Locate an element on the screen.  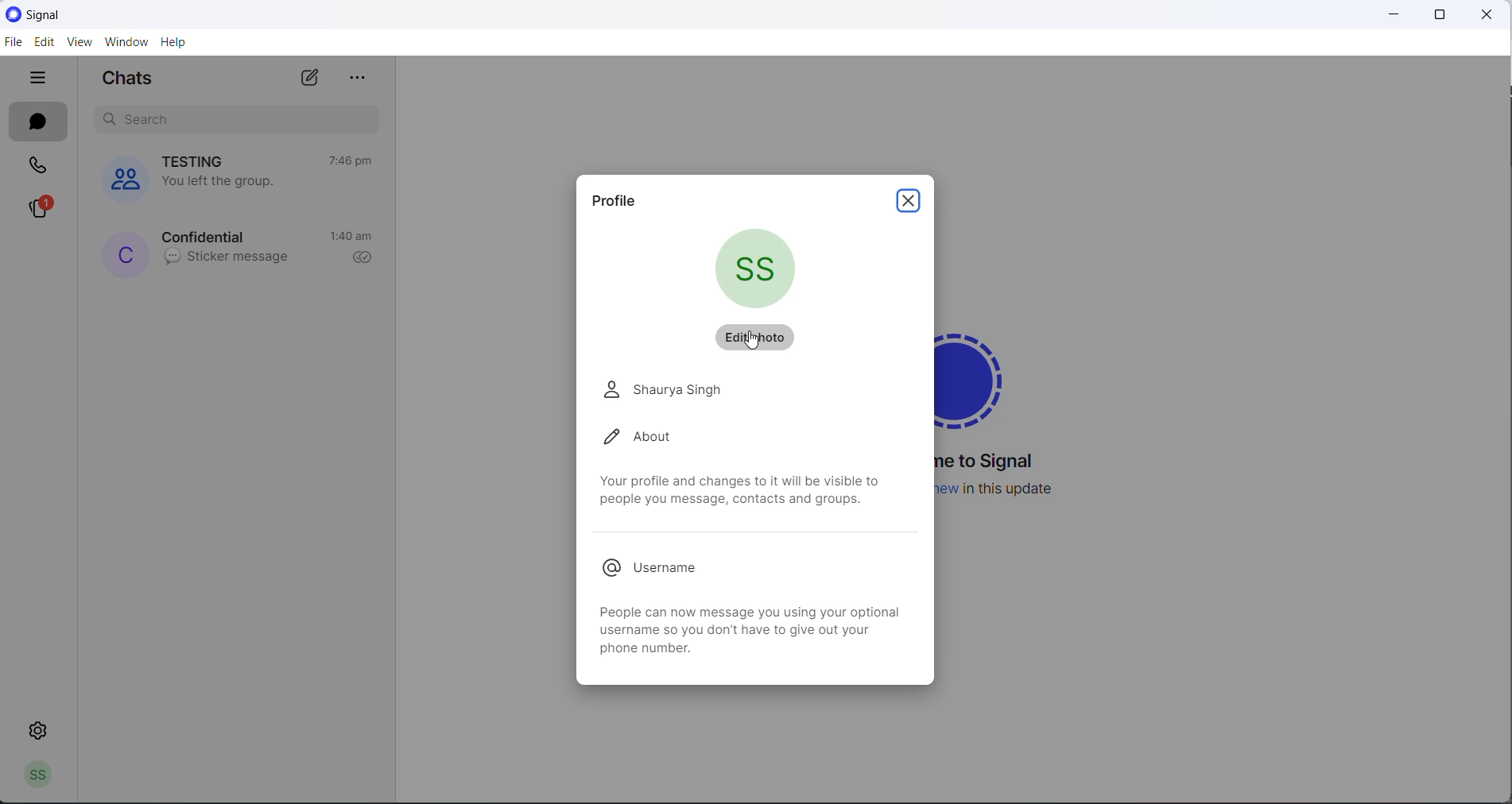
last active time is located at coordinates (354, 238).